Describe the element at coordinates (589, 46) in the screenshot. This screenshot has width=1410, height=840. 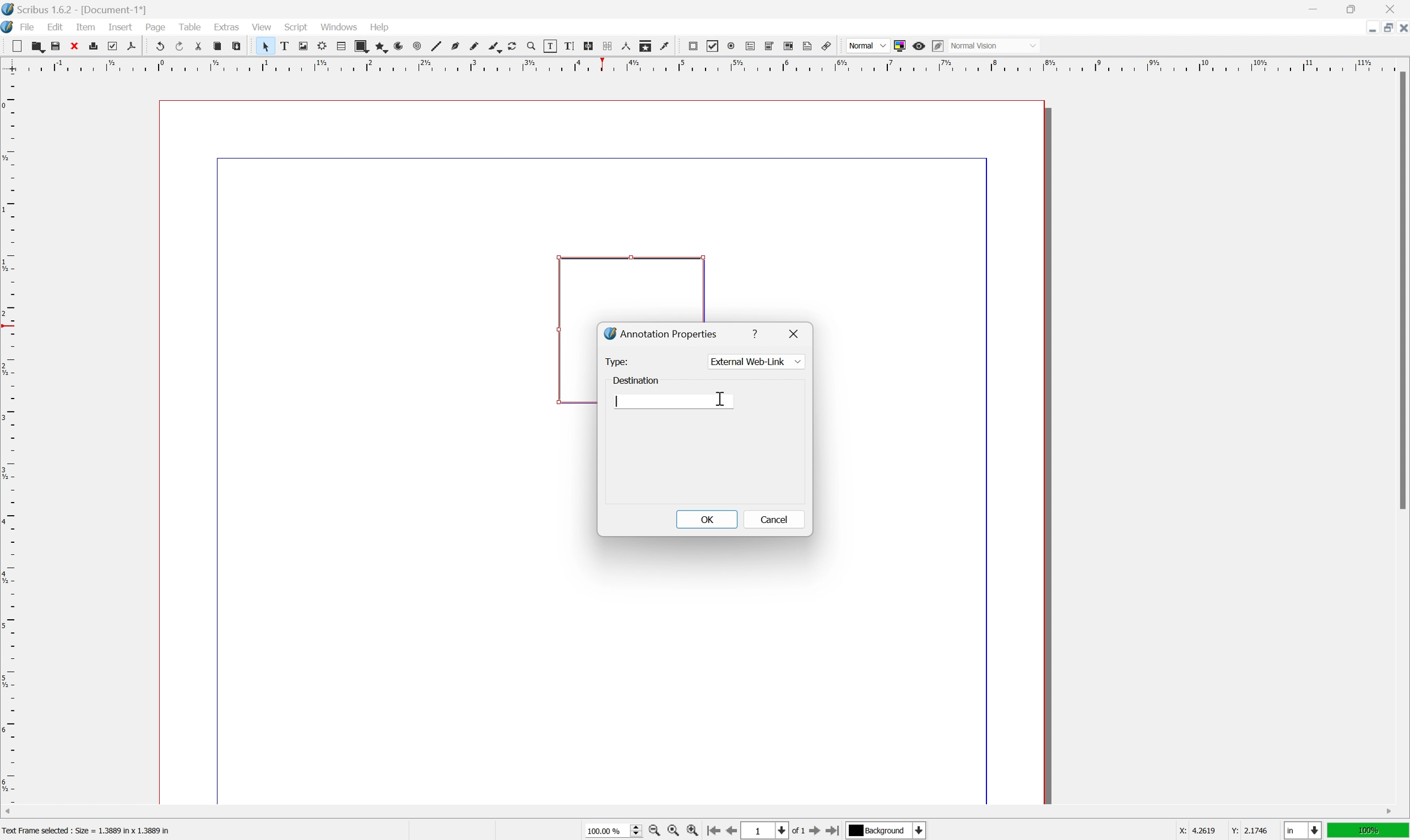
I see `link text frames` at that location.